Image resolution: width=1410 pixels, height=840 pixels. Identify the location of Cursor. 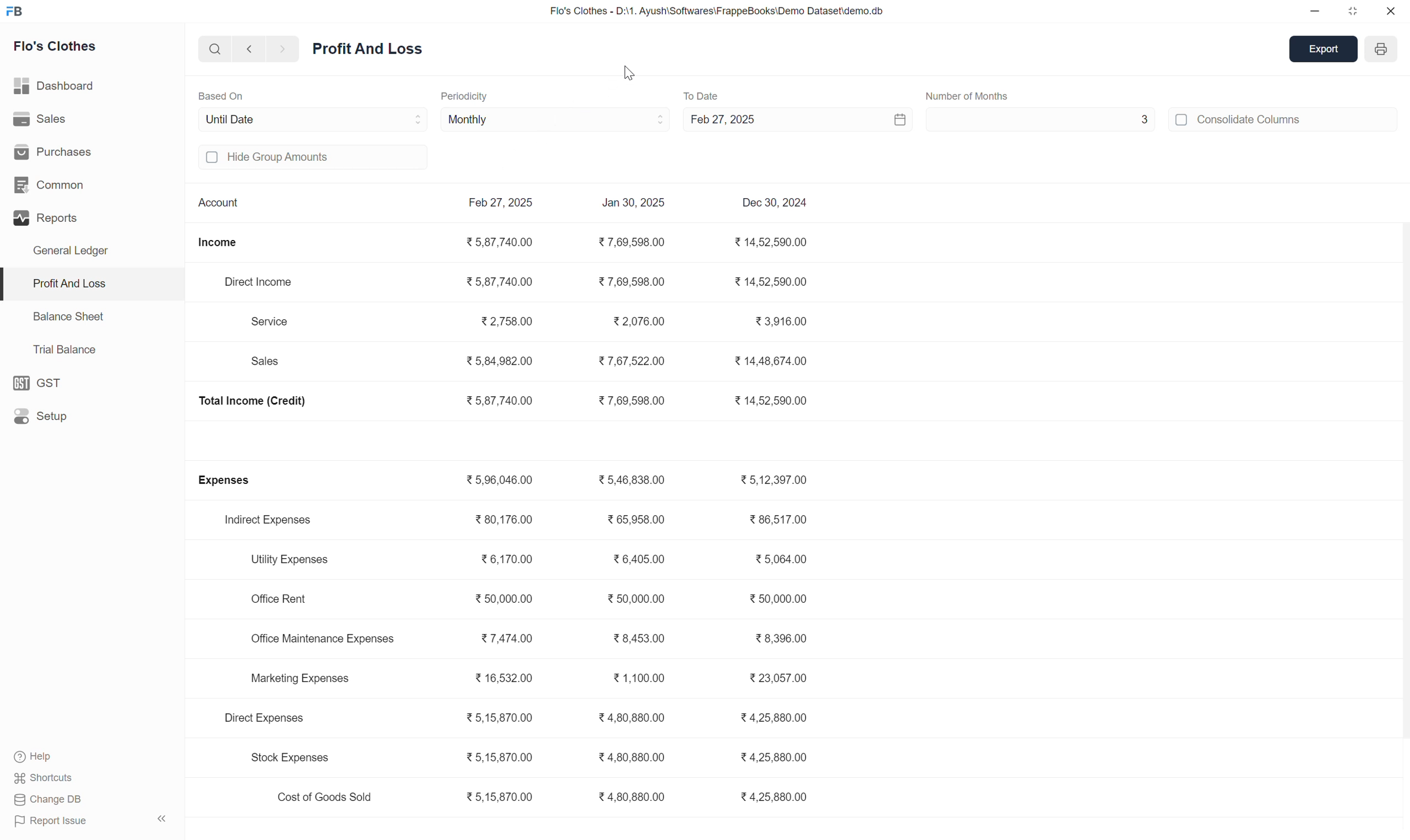
(619, 72).